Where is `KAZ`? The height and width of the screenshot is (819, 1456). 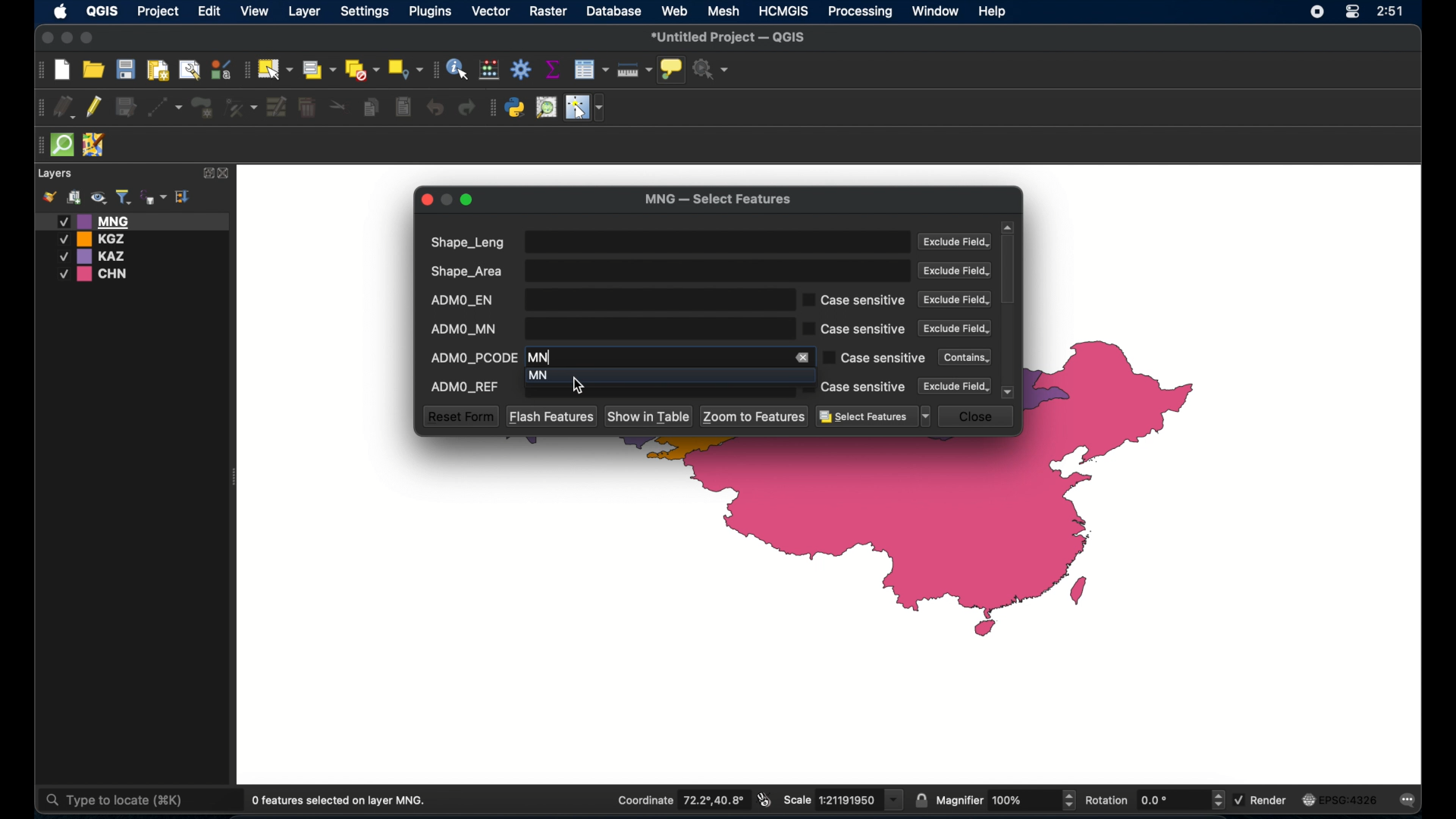 KAZ is located at coordinates (102, 256).